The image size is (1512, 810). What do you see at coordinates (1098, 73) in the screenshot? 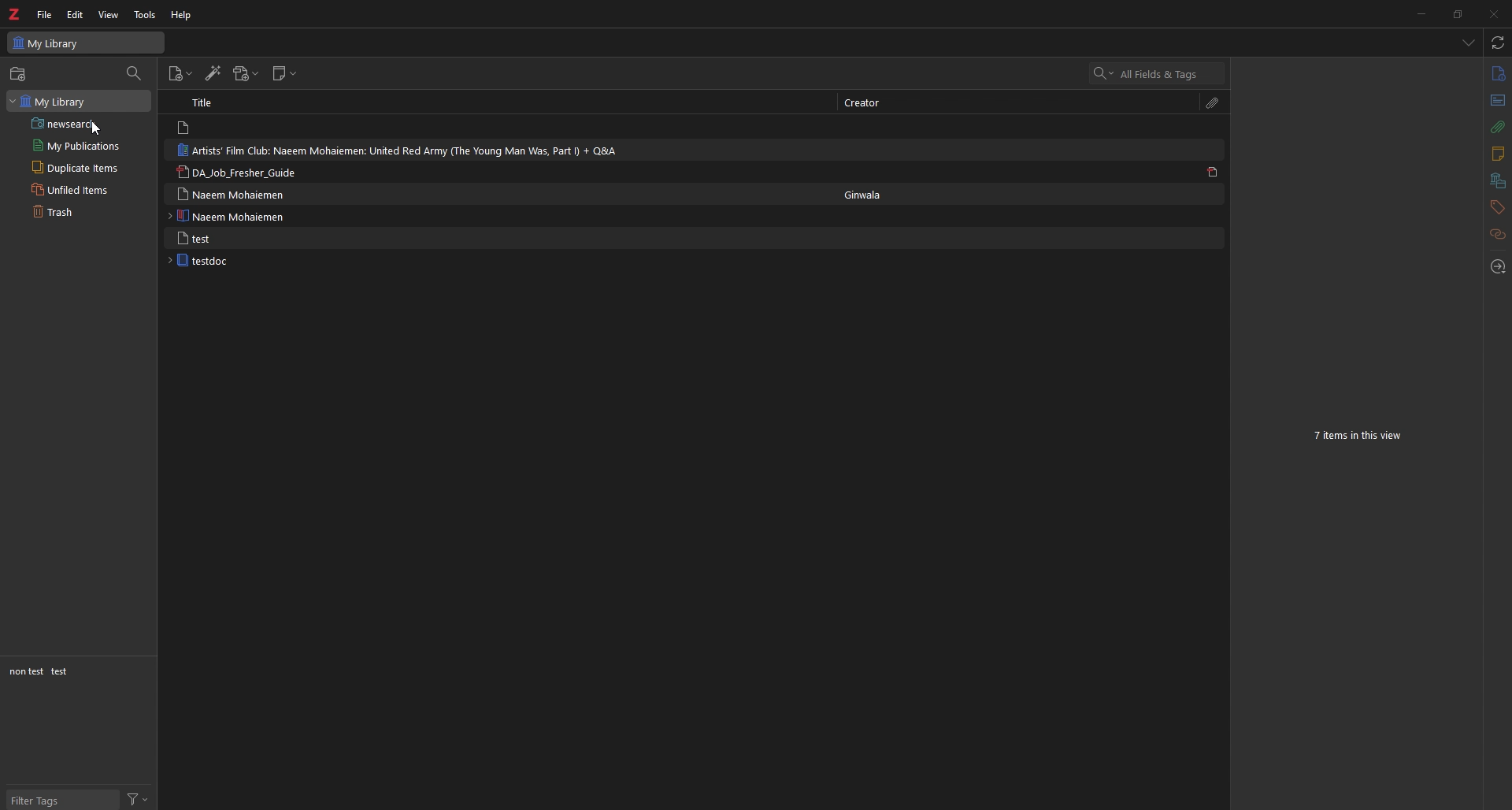
I see `Search options` at bounding box center [1098, 73].